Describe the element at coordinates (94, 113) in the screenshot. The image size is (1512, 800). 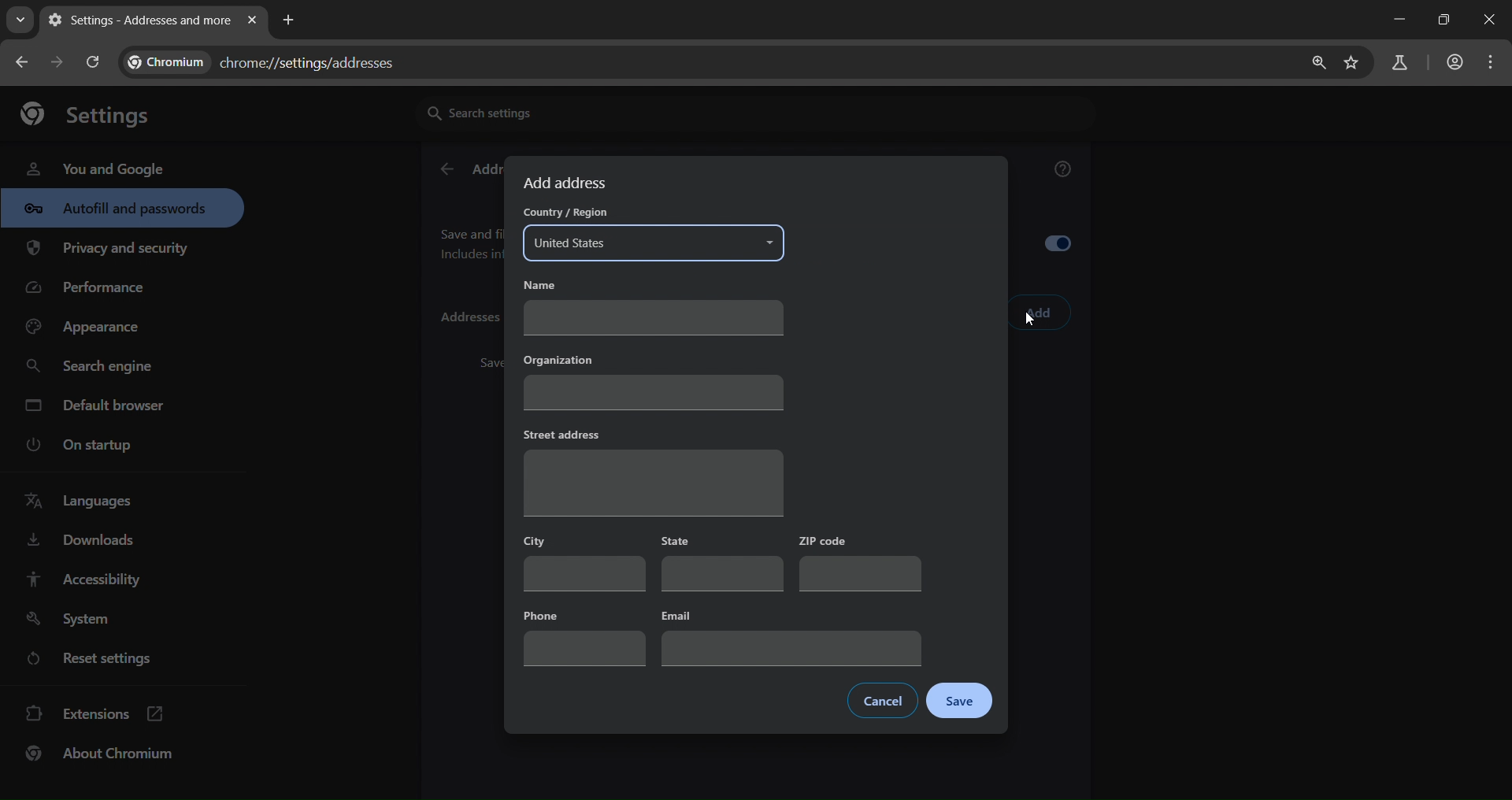
I see `settings` at that location.